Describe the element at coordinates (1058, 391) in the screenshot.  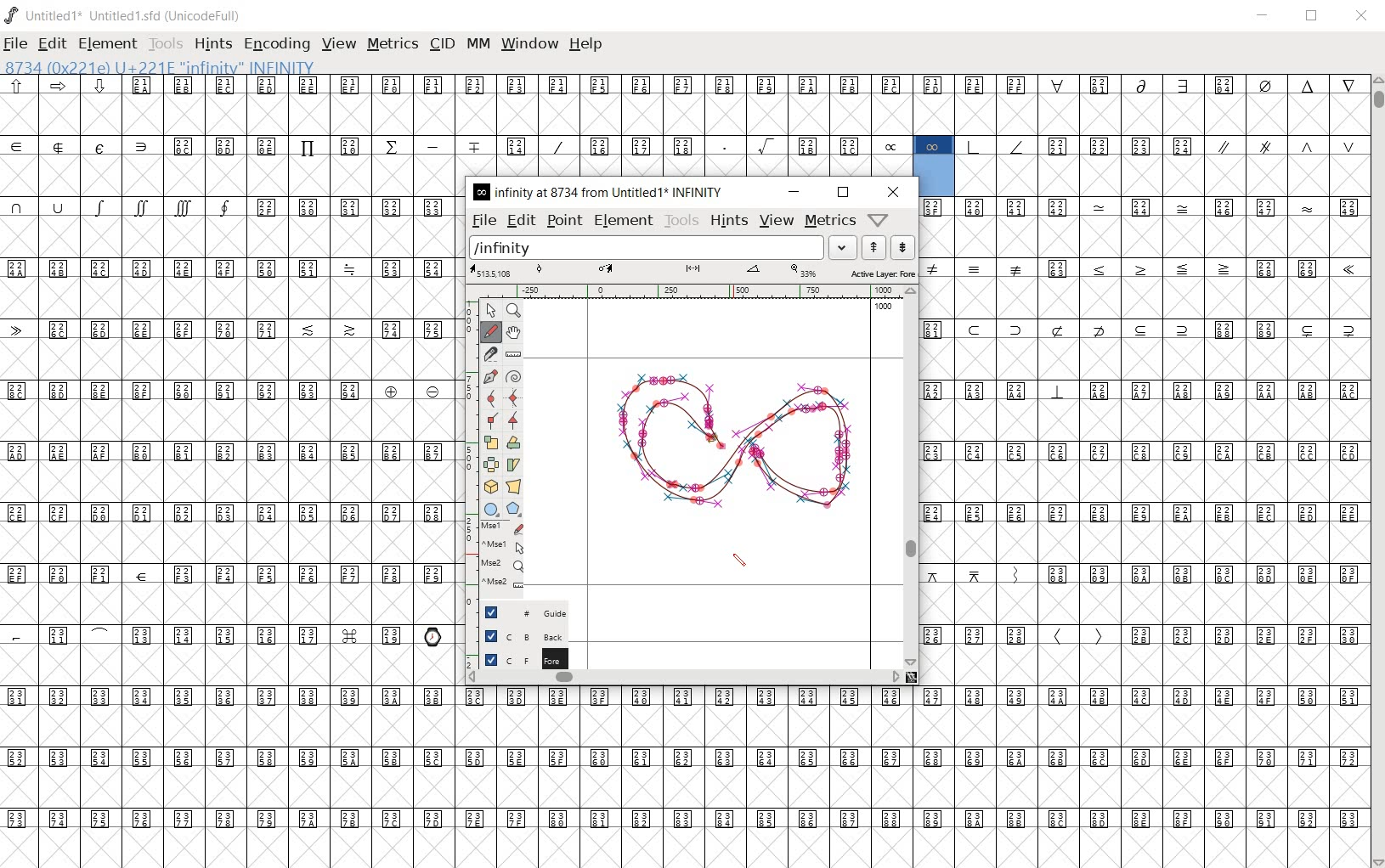
I see `symbol` at that location.